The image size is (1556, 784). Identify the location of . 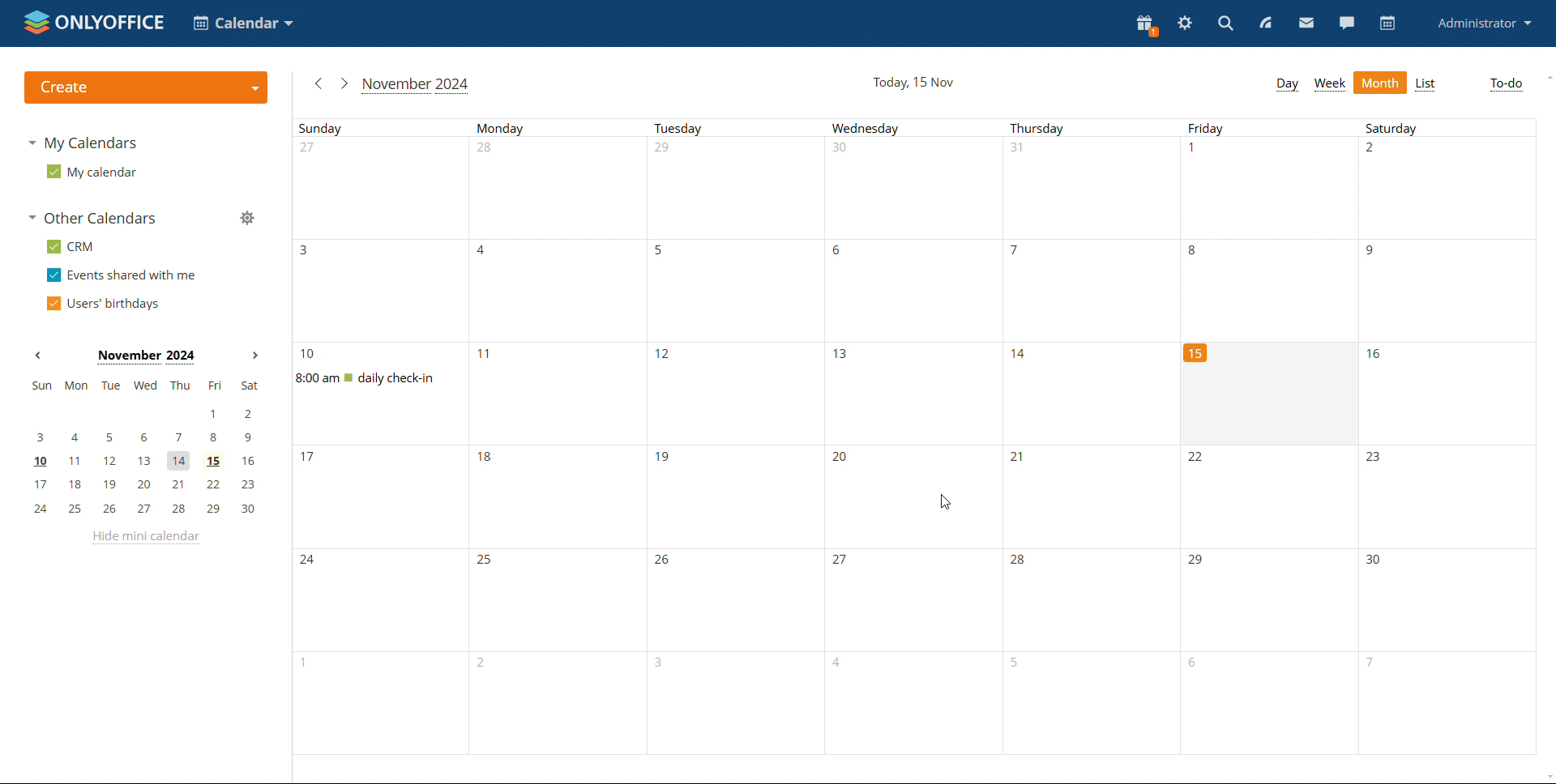
(666, 562).